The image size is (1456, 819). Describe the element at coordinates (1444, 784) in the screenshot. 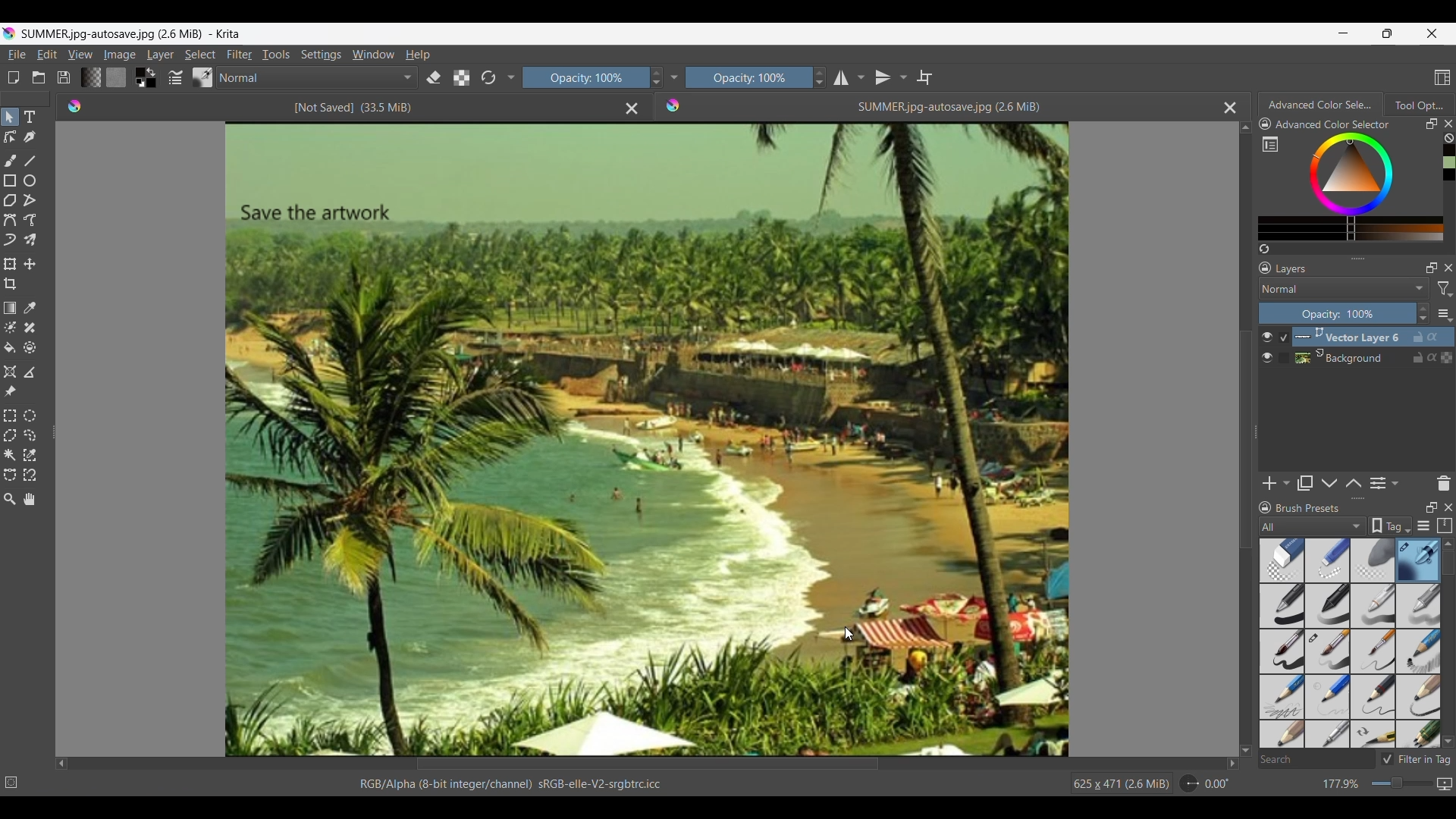

I see `Map displayed canvas between pixel and print size` at that location.